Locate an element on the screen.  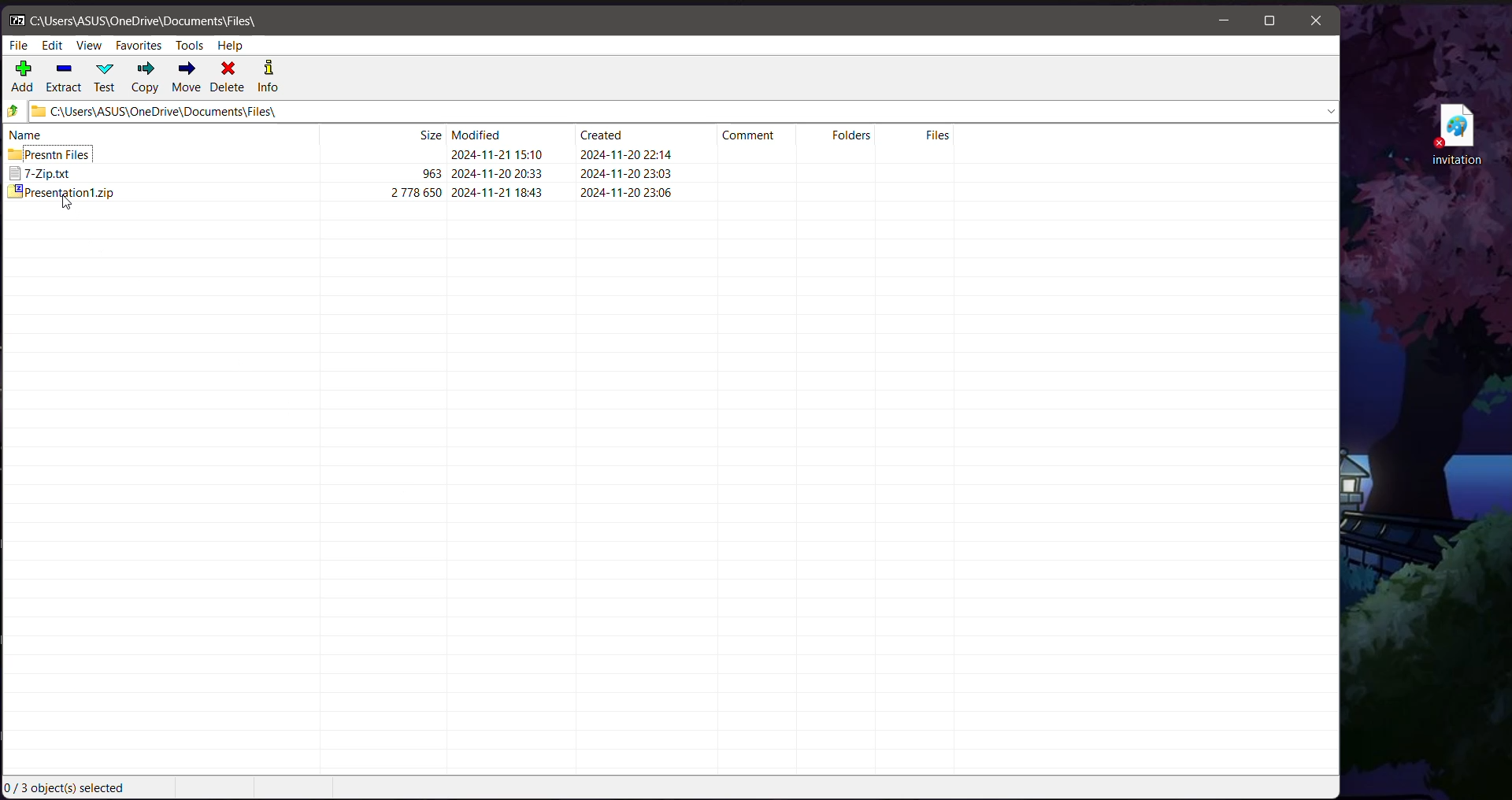
Extract is located at coordinates (64, 78).